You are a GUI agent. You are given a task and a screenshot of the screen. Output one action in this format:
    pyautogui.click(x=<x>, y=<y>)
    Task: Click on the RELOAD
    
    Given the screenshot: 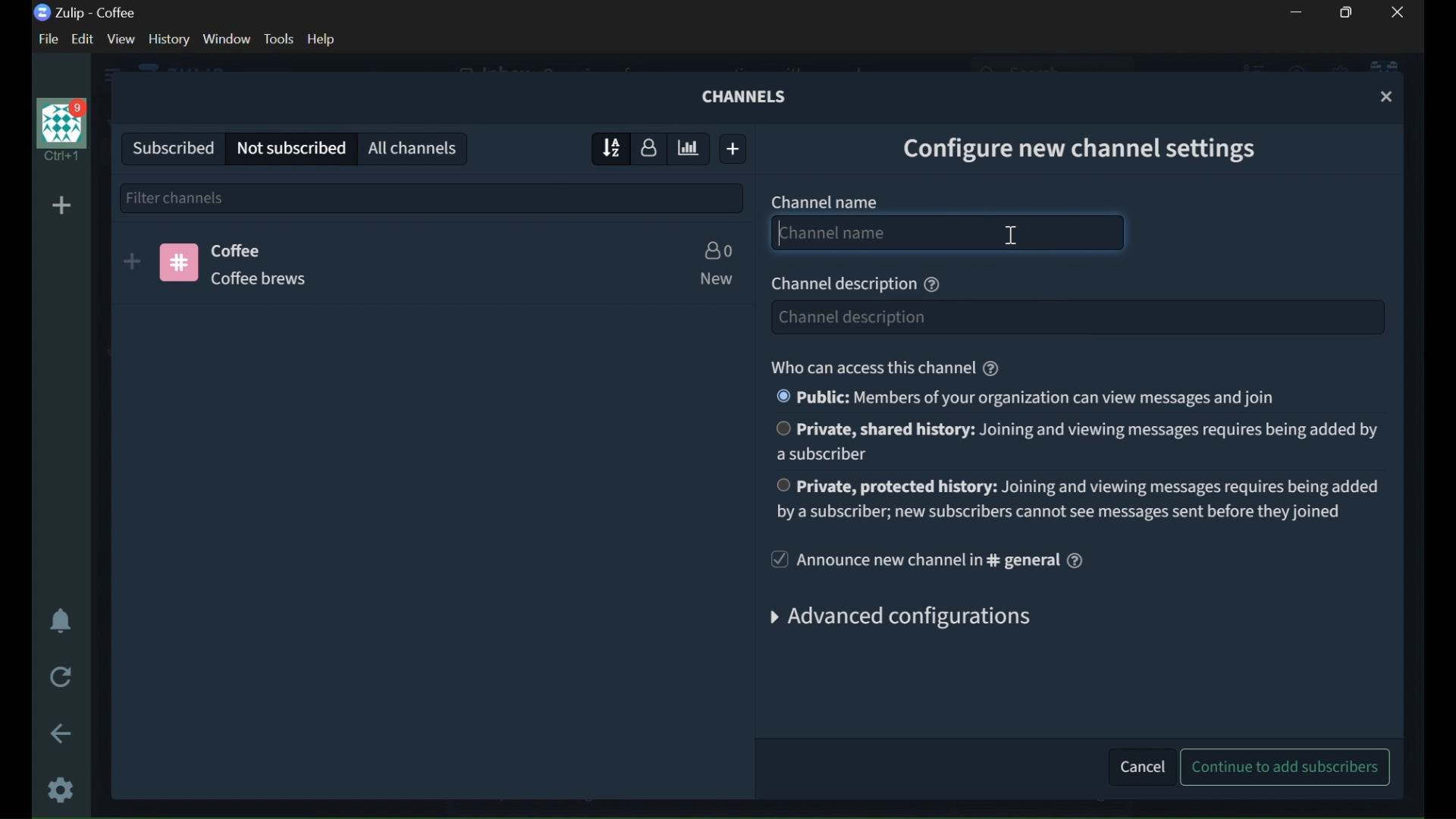 What is the action you would take?
    pyautogui.click(x=63, y=675)
    